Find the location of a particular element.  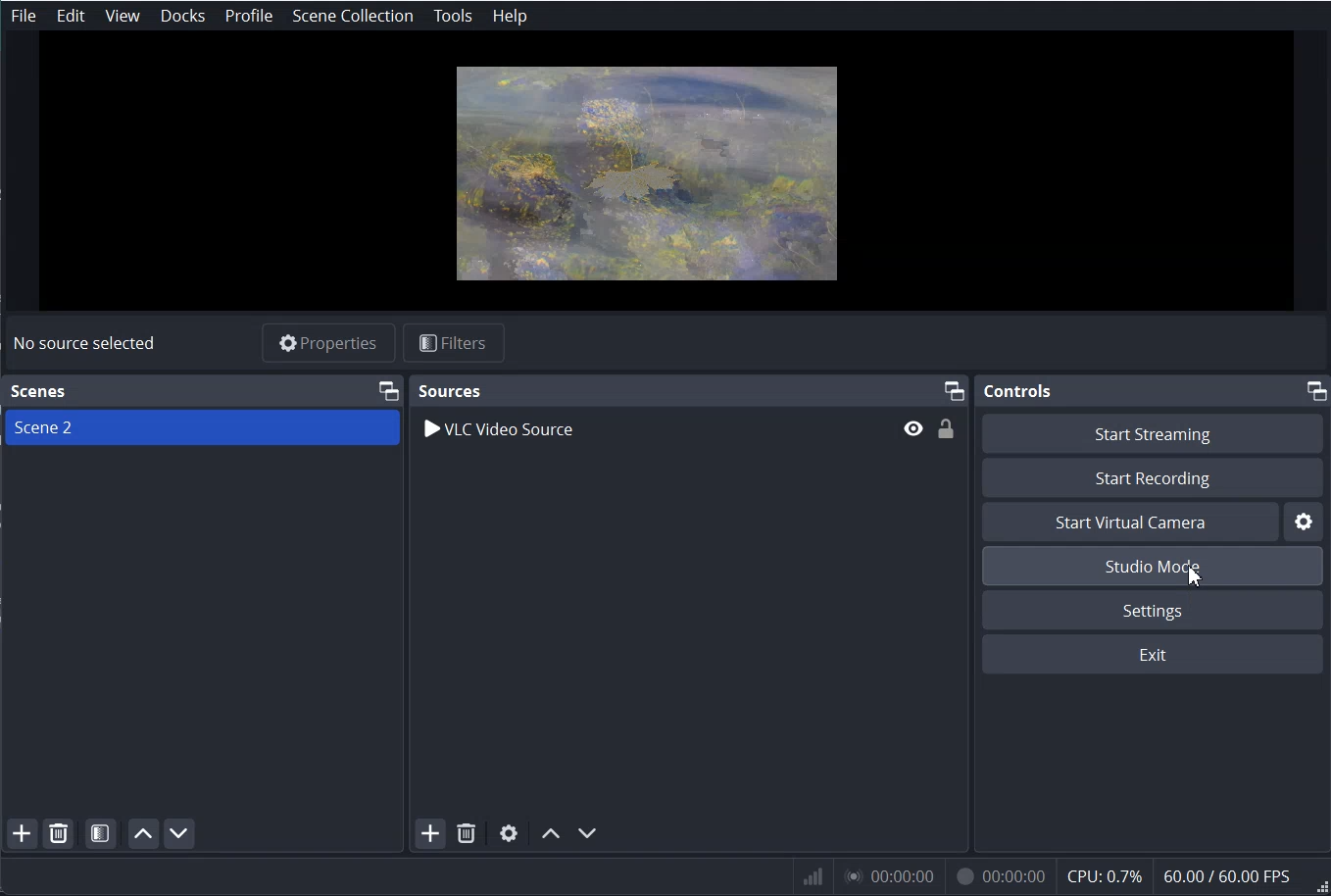

Move Source Up is located at coordinates (548, 832).